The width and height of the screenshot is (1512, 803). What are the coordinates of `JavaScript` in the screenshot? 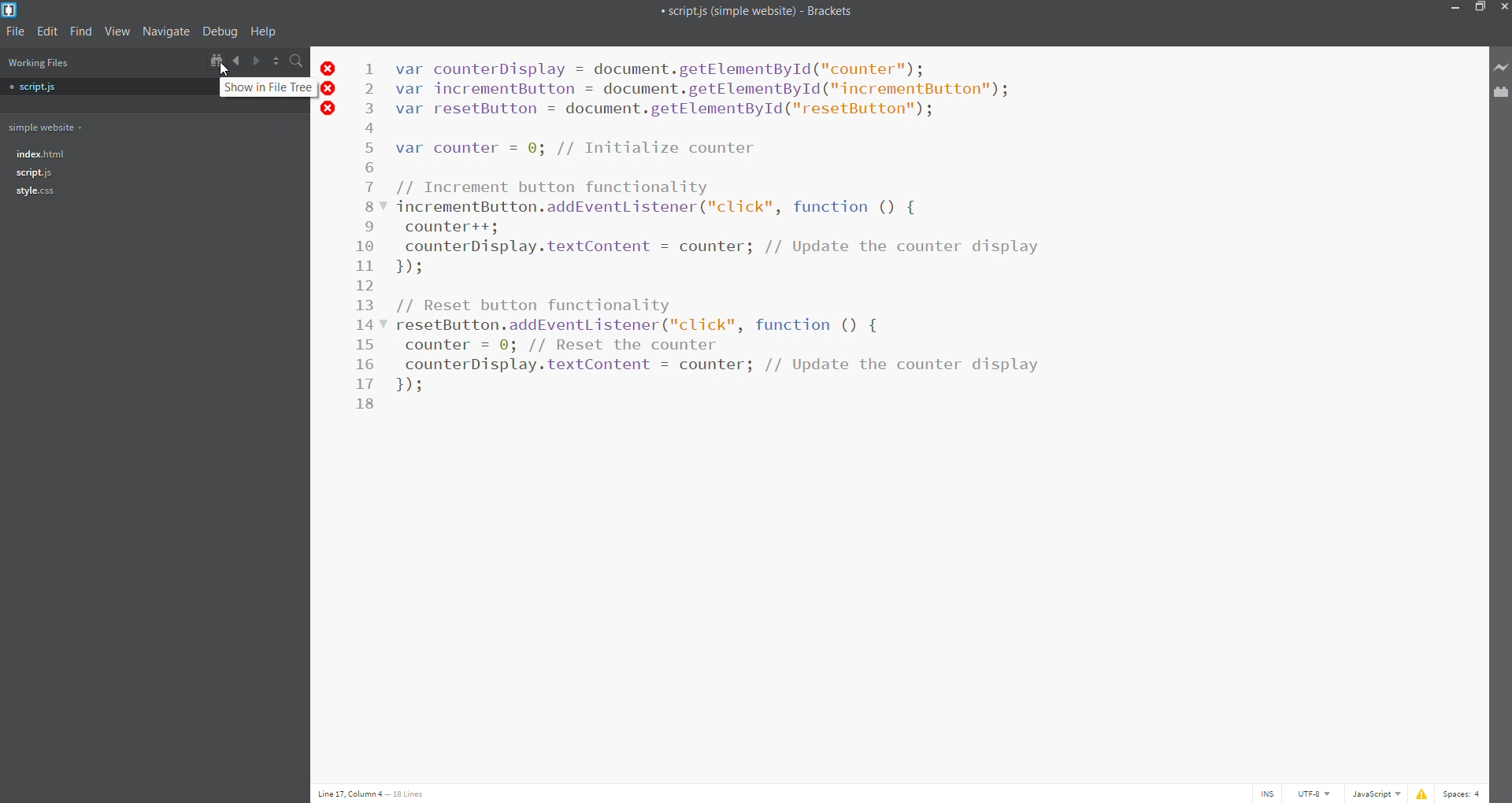 It's located at (1373, 793).